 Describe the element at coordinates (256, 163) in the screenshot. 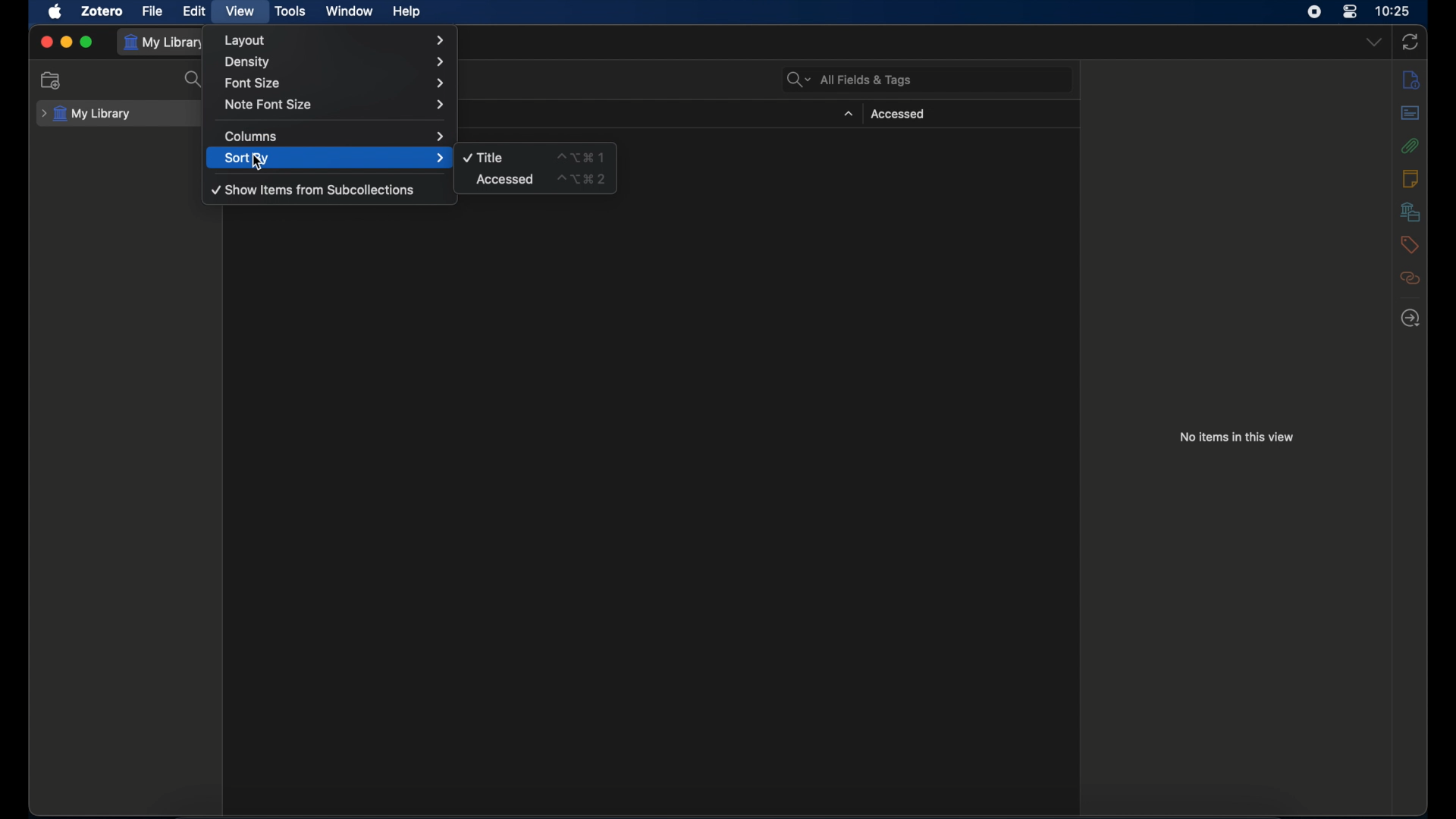

I see `cursor` at that location.